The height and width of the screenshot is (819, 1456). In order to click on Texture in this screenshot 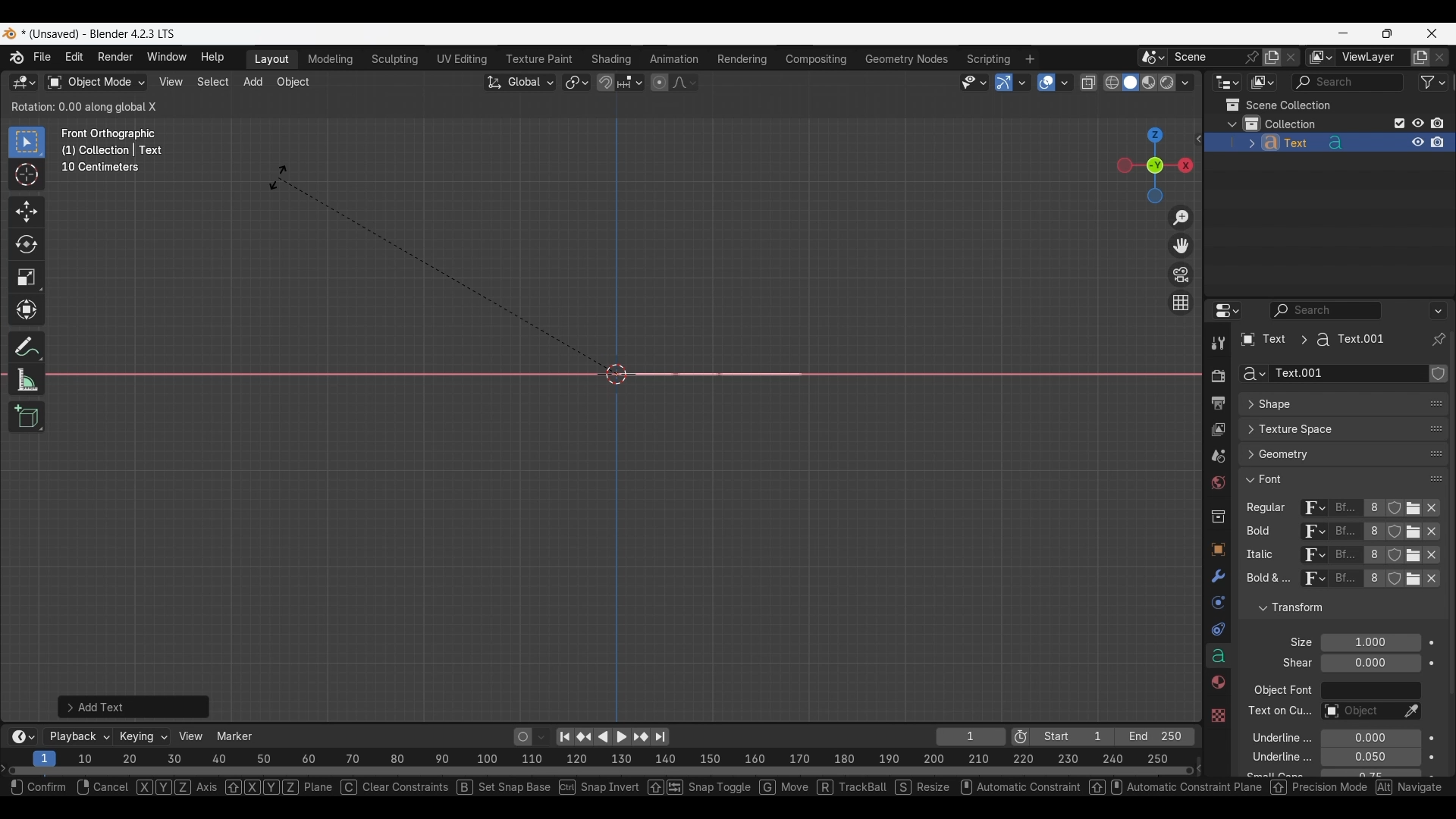, I will do `click(1218, 550)`.